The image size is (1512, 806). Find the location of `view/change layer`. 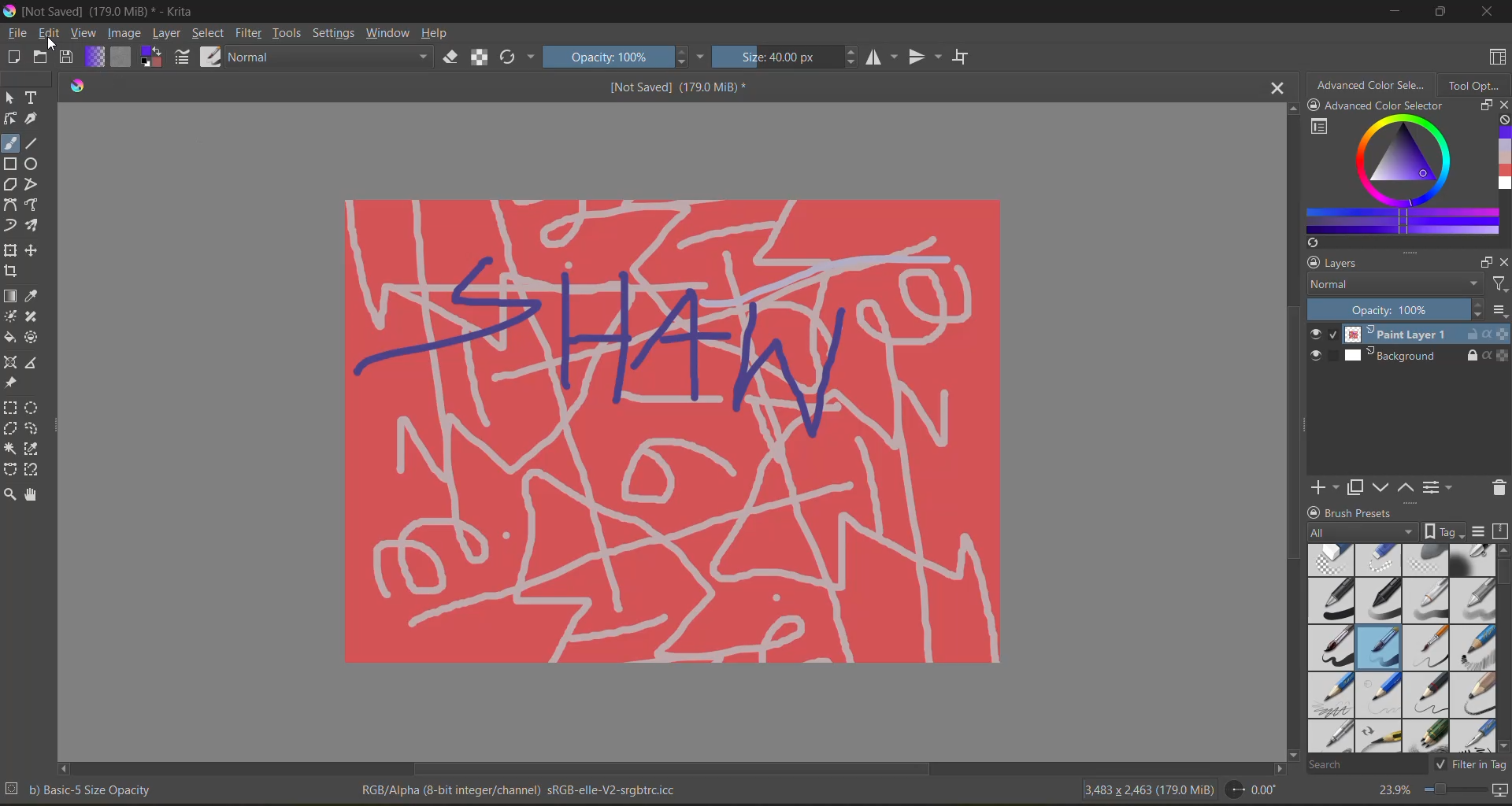

view/change layer is located at coordinates (1440, 488).